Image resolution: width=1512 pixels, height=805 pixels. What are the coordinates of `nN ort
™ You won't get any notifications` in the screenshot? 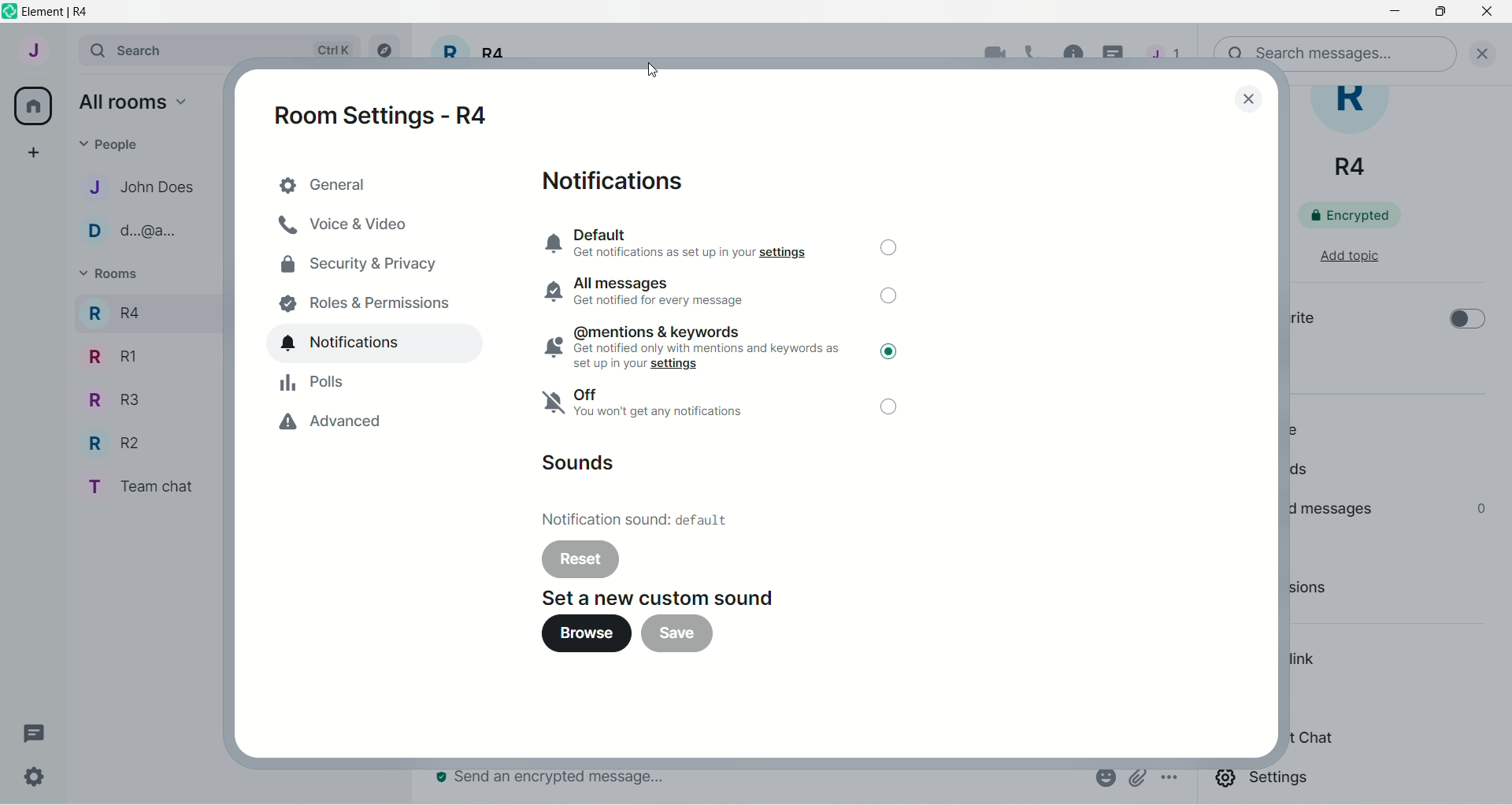 It's located at (657, 408).